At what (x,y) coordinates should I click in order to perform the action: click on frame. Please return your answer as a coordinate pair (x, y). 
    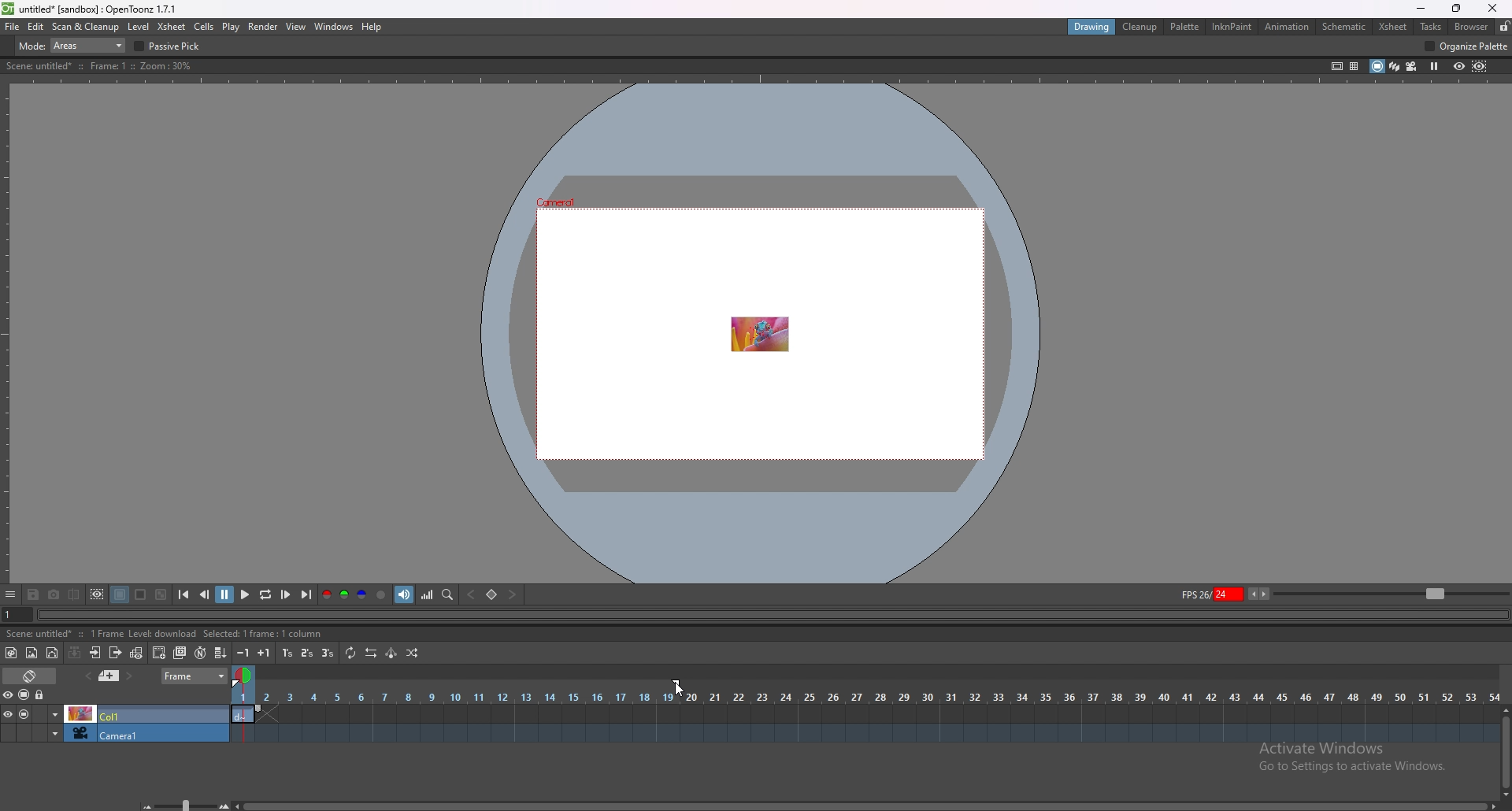
    Looking at the image, I should click on (195, 676).